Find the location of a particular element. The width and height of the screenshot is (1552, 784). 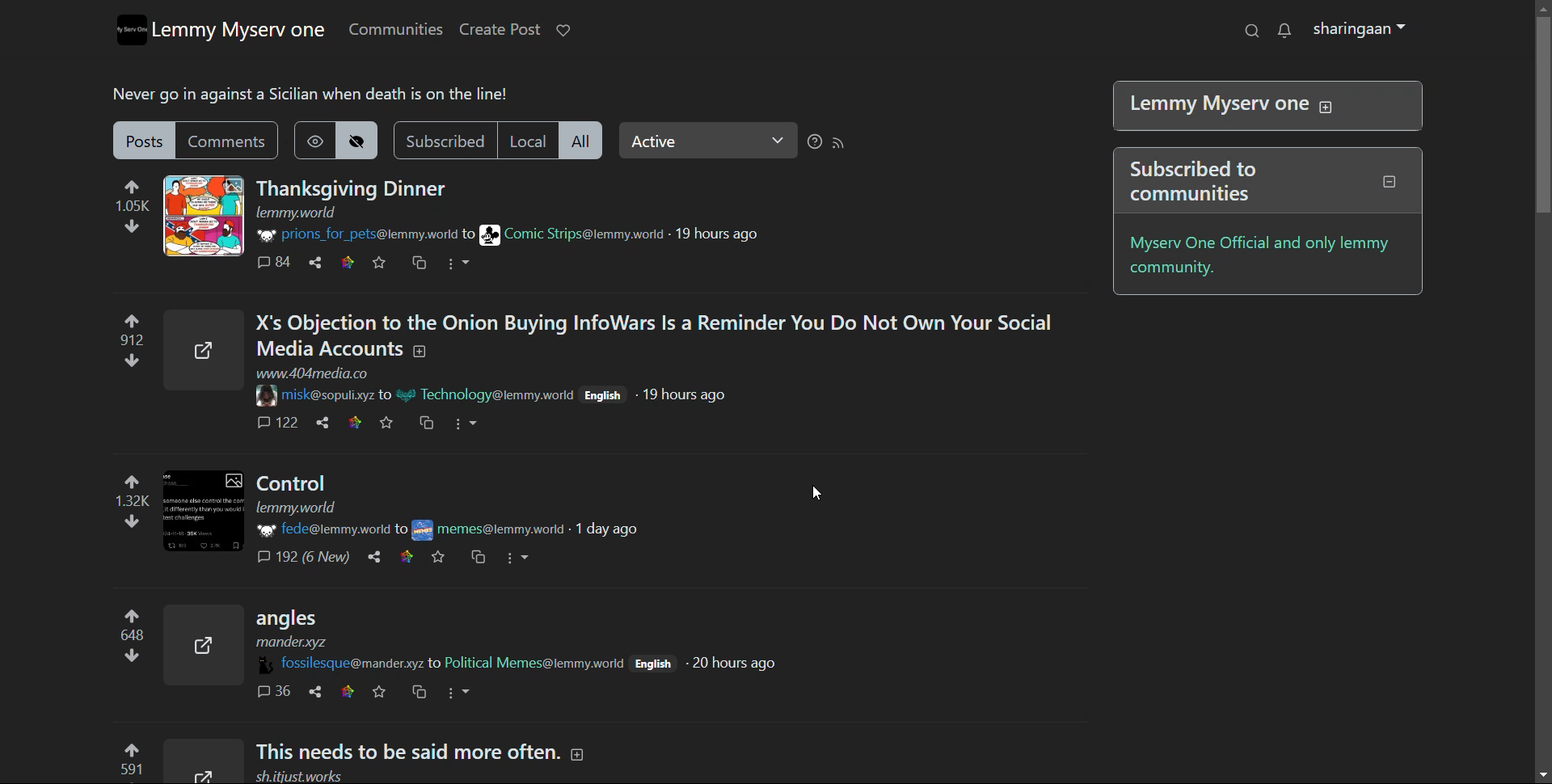

link is located at coordinates (346, 692).